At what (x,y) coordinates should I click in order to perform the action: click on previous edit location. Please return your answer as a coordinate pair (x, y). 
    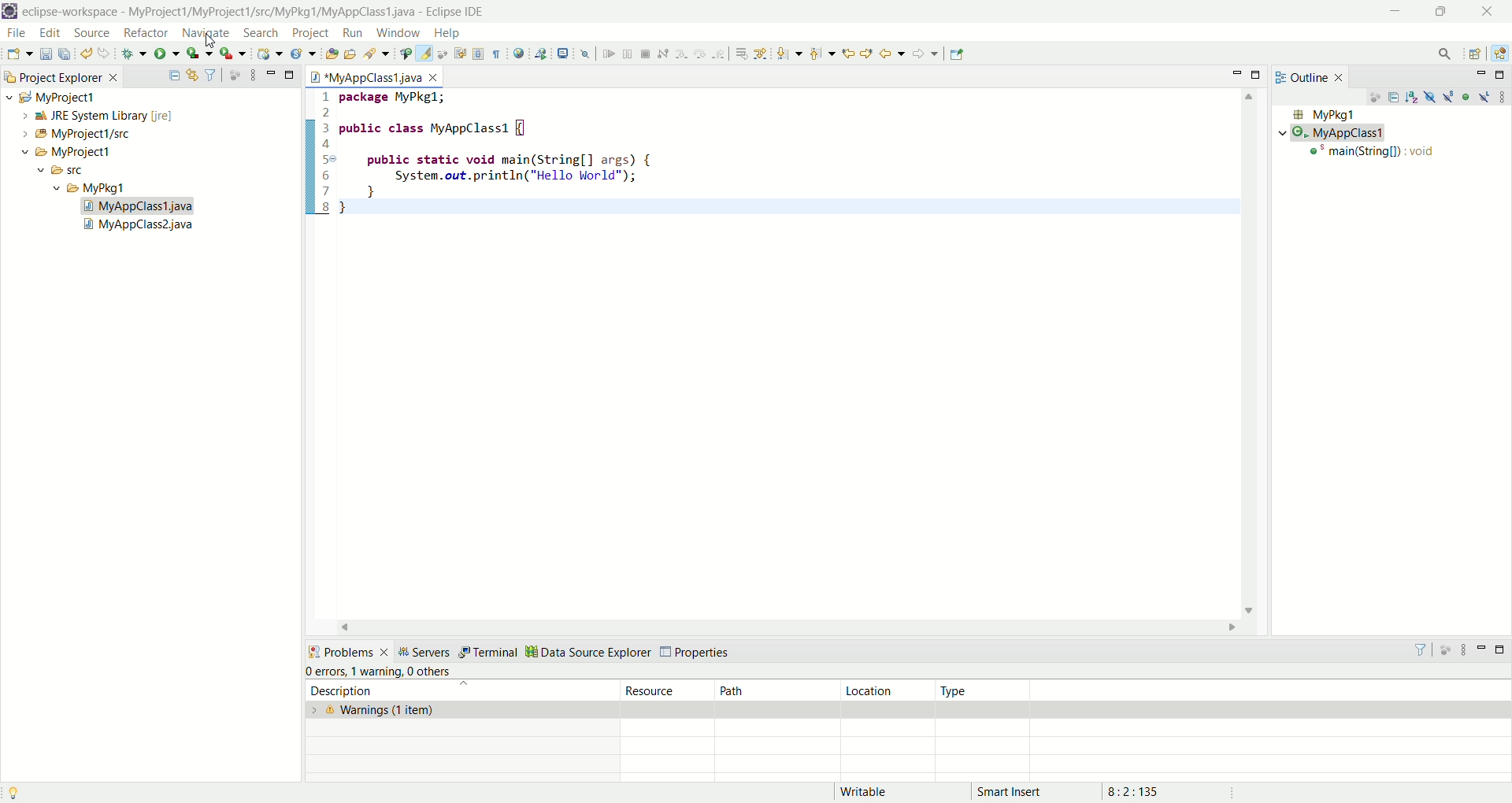
    Looking at the image, I should click on (847, 54).